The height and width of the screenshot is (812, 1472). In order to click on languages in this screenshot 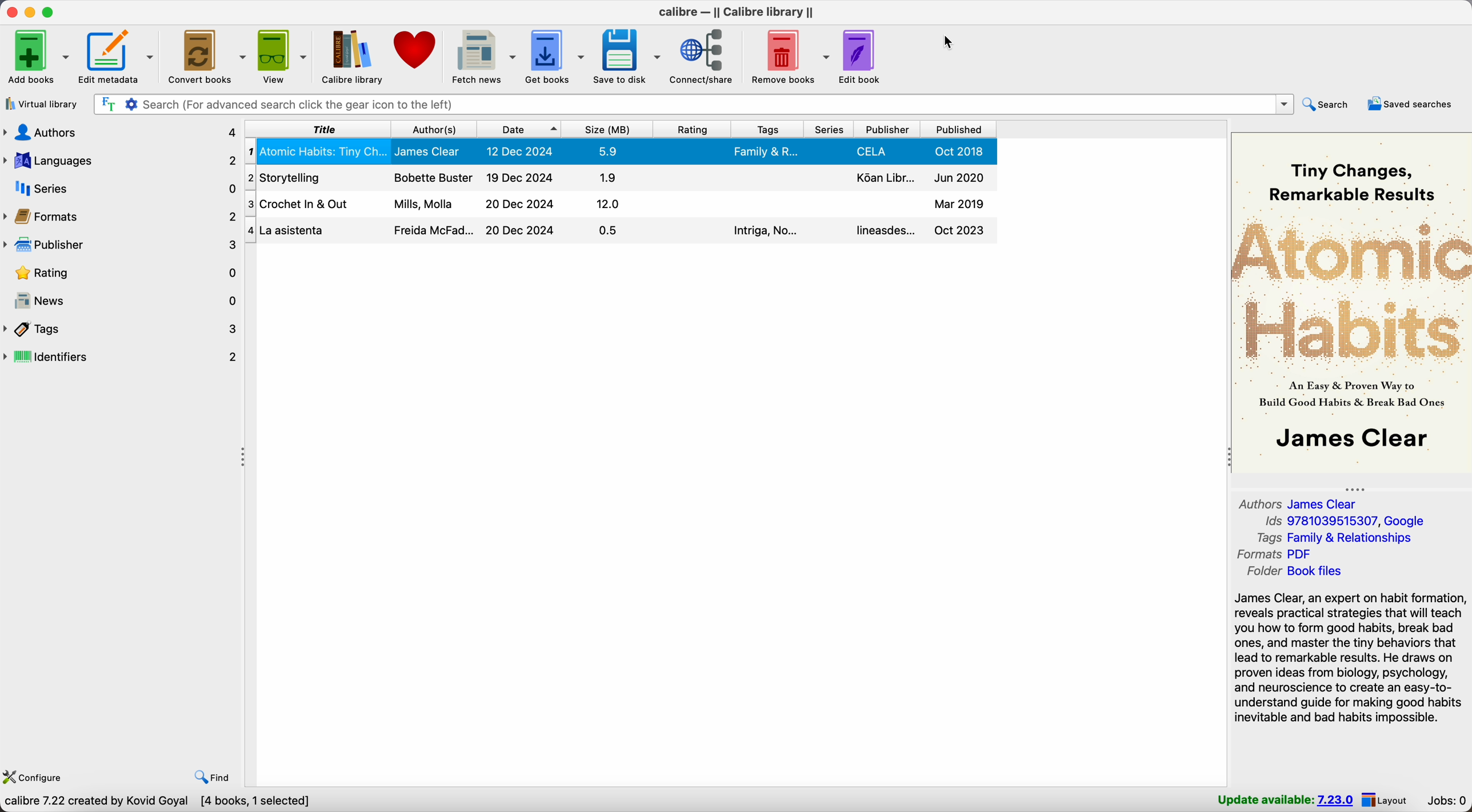, I will do `click(121, 159)`.